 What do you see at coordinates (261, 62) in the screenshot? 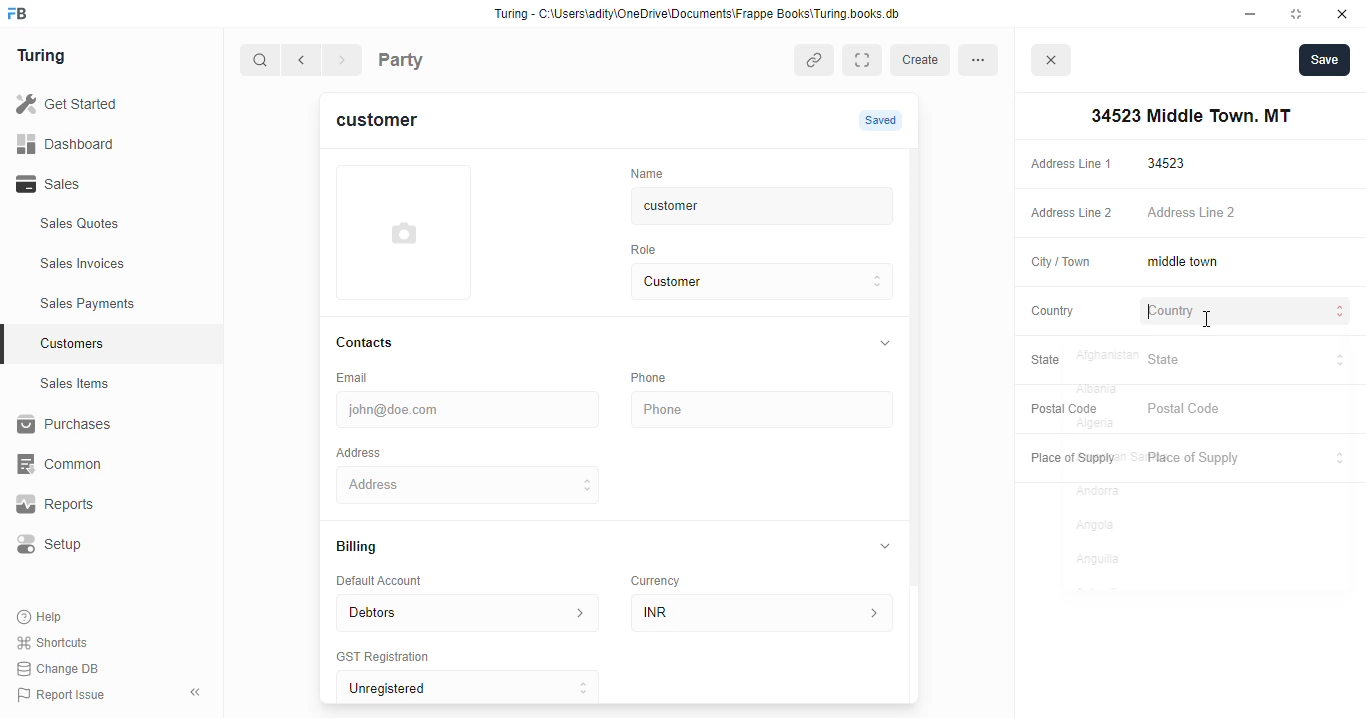
I see `search` at bounding box center [261, 62].